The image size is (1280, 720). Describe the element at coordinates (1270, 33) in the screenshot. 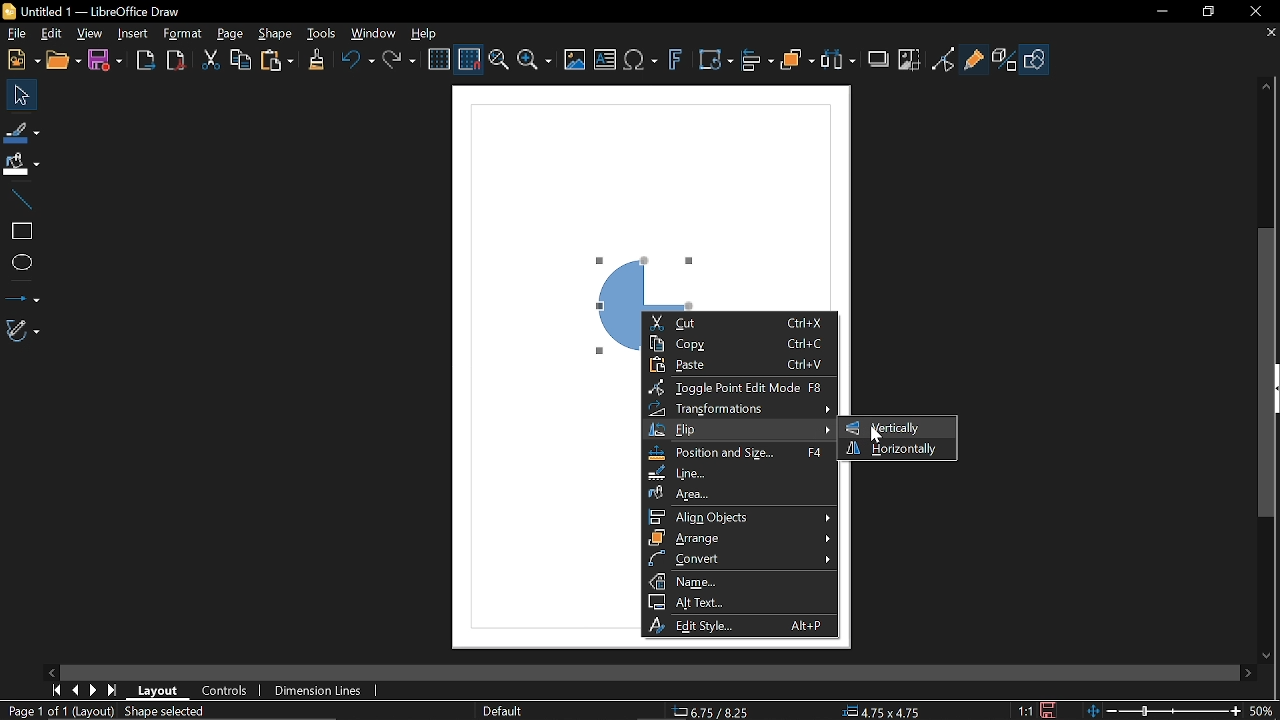

I see `Close tab` at that location.